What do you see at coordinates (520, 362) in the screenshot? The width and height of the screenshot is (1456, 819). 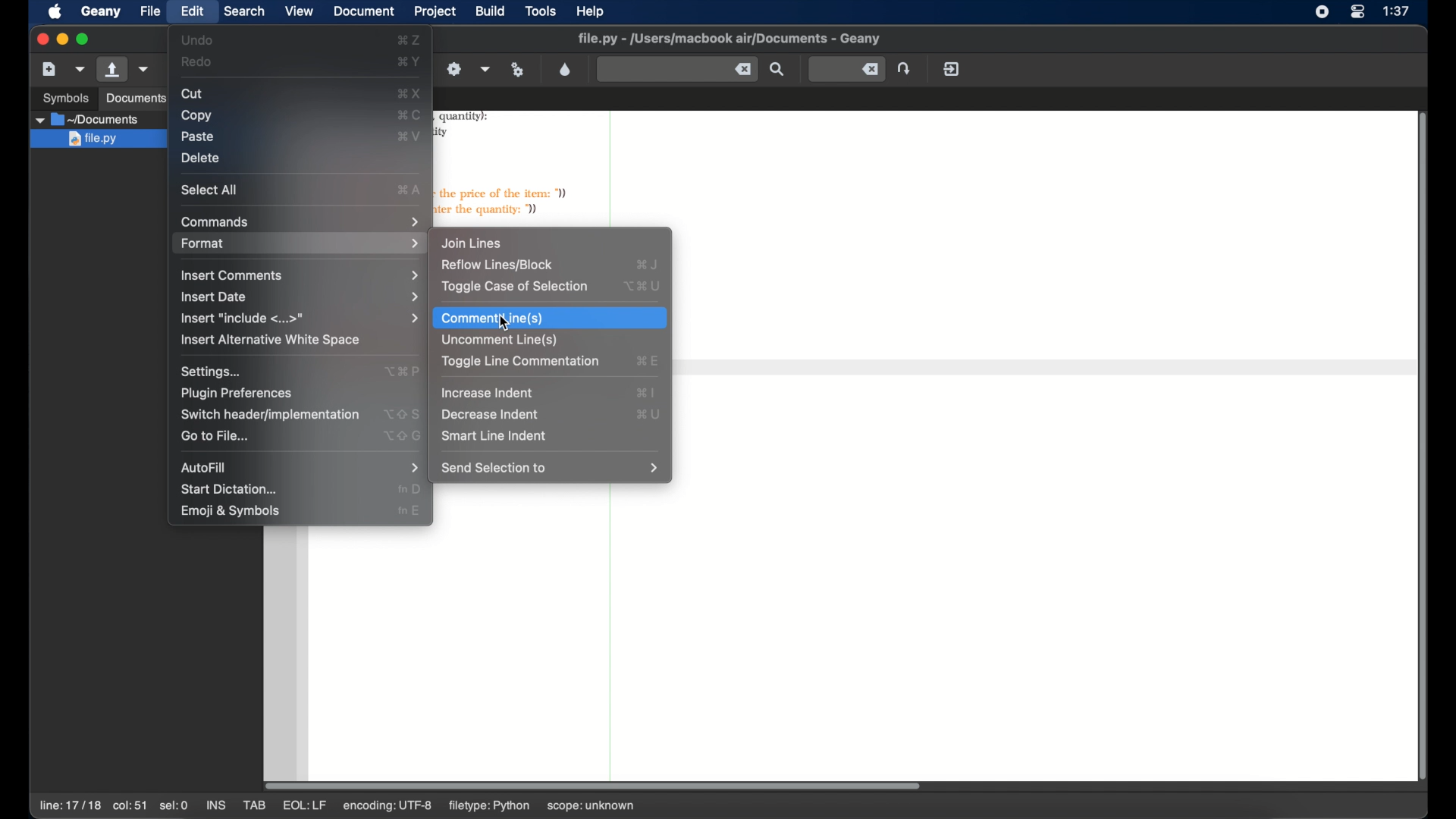 I see `toggle line commentation` at bounding box center [520, 362].